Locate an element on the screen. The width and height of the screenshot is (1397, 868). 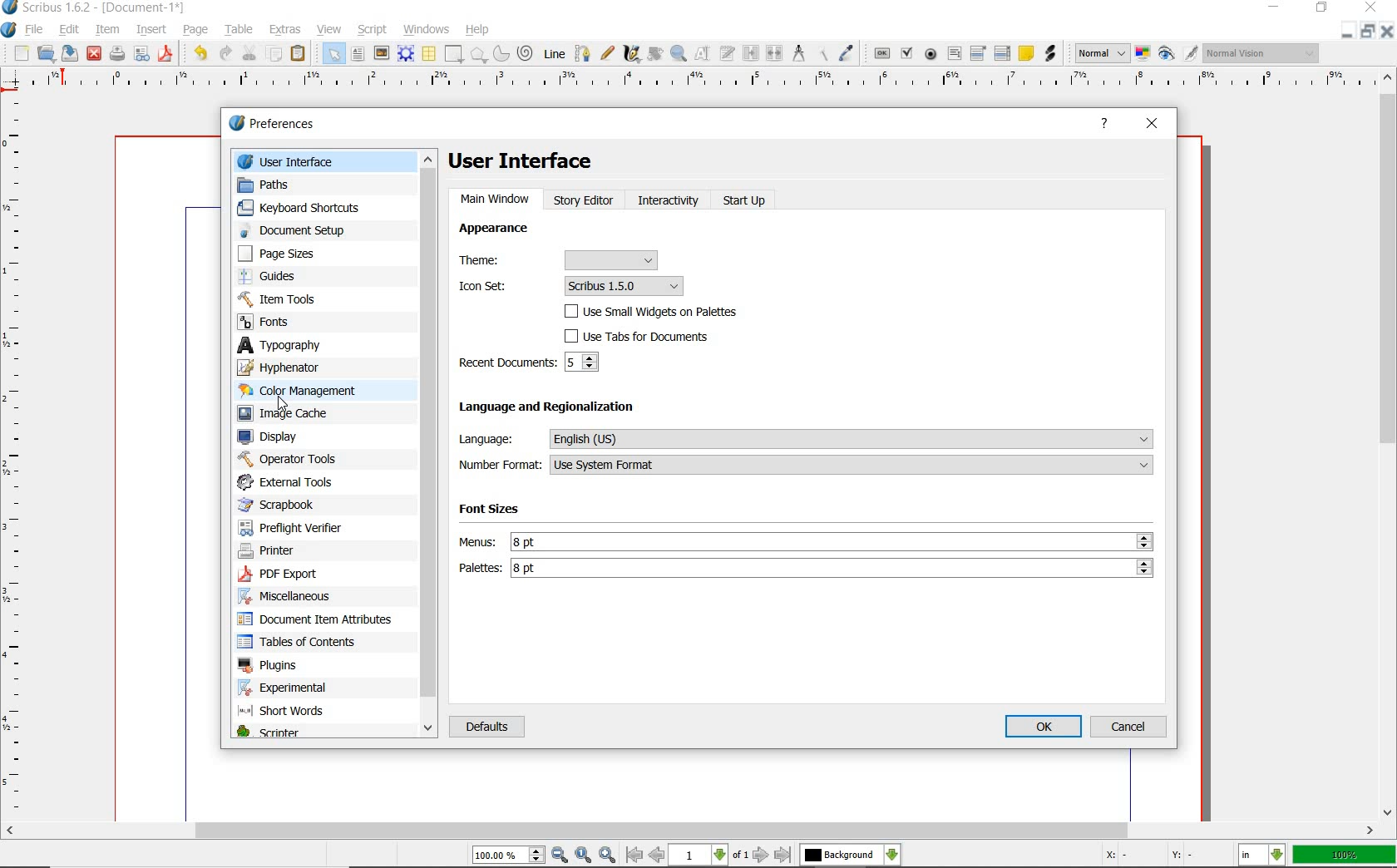
file is located at coordinates (37, 28).